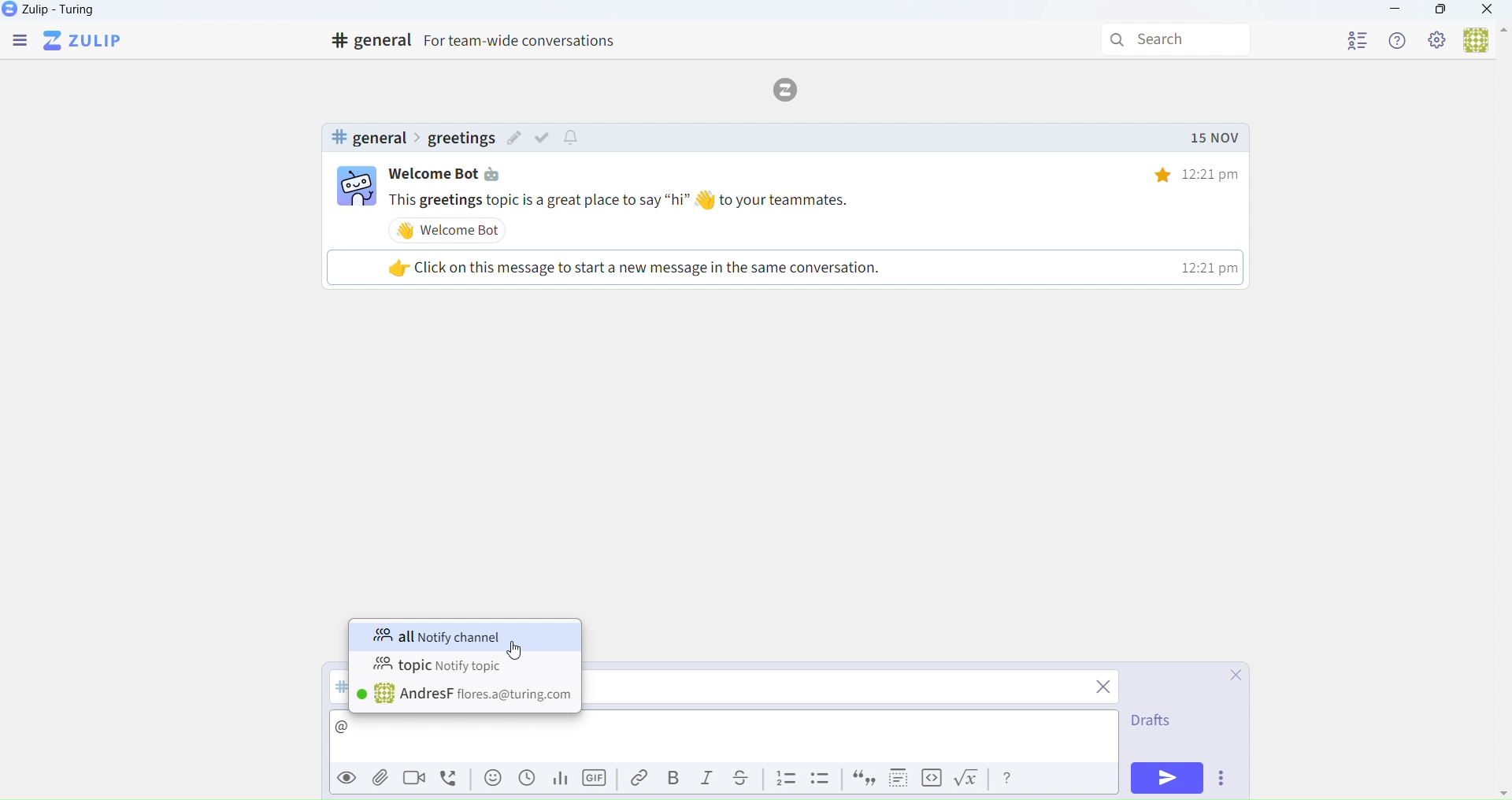 The image size is (1512, 800). What do you see at coordinates (381, 780) in the screenshot?
I see `Attachment` at bounding box center [381, 780].